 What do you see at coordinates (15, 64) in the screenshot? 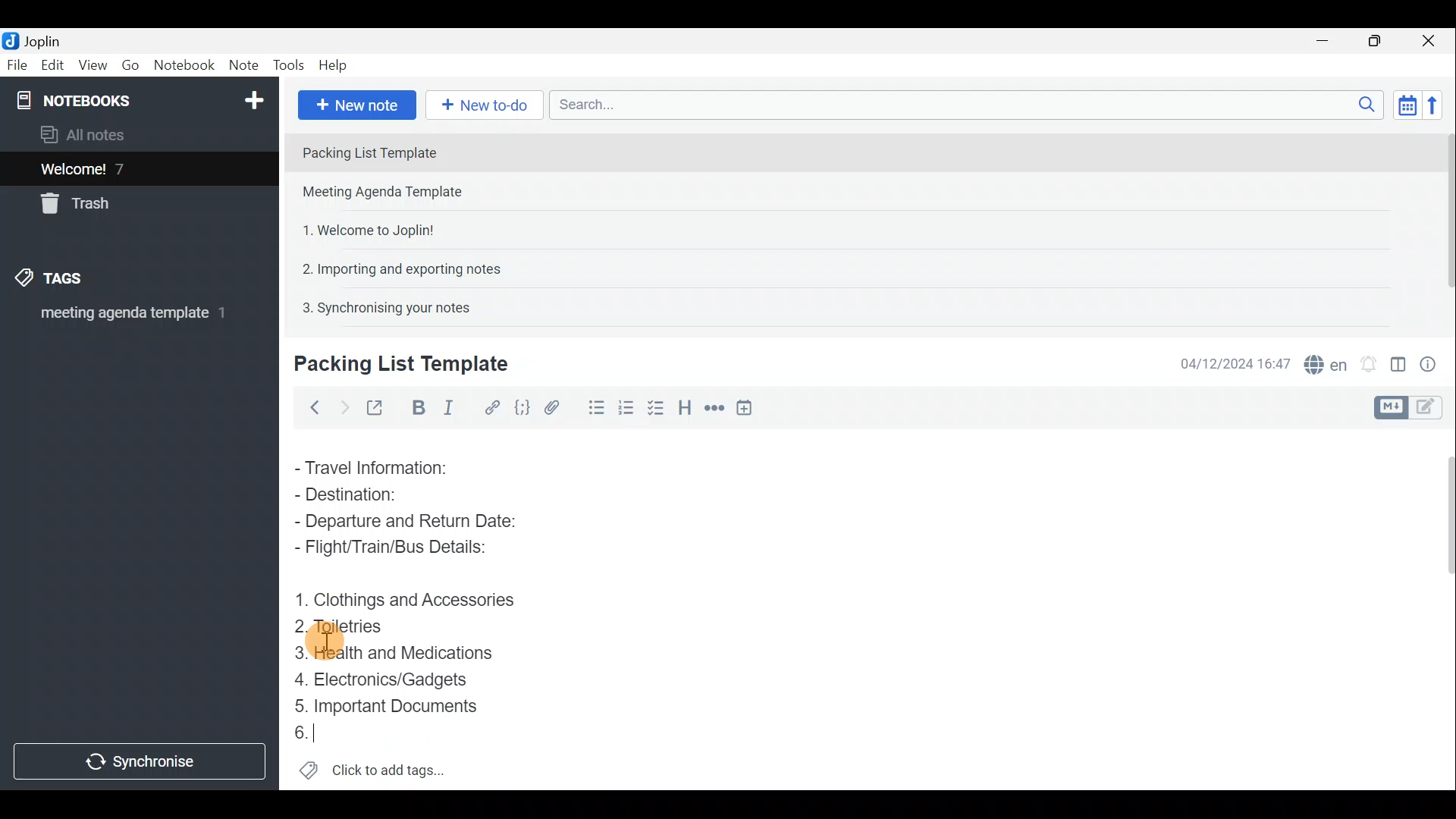
I see `File` at bounding box center [15, 64].